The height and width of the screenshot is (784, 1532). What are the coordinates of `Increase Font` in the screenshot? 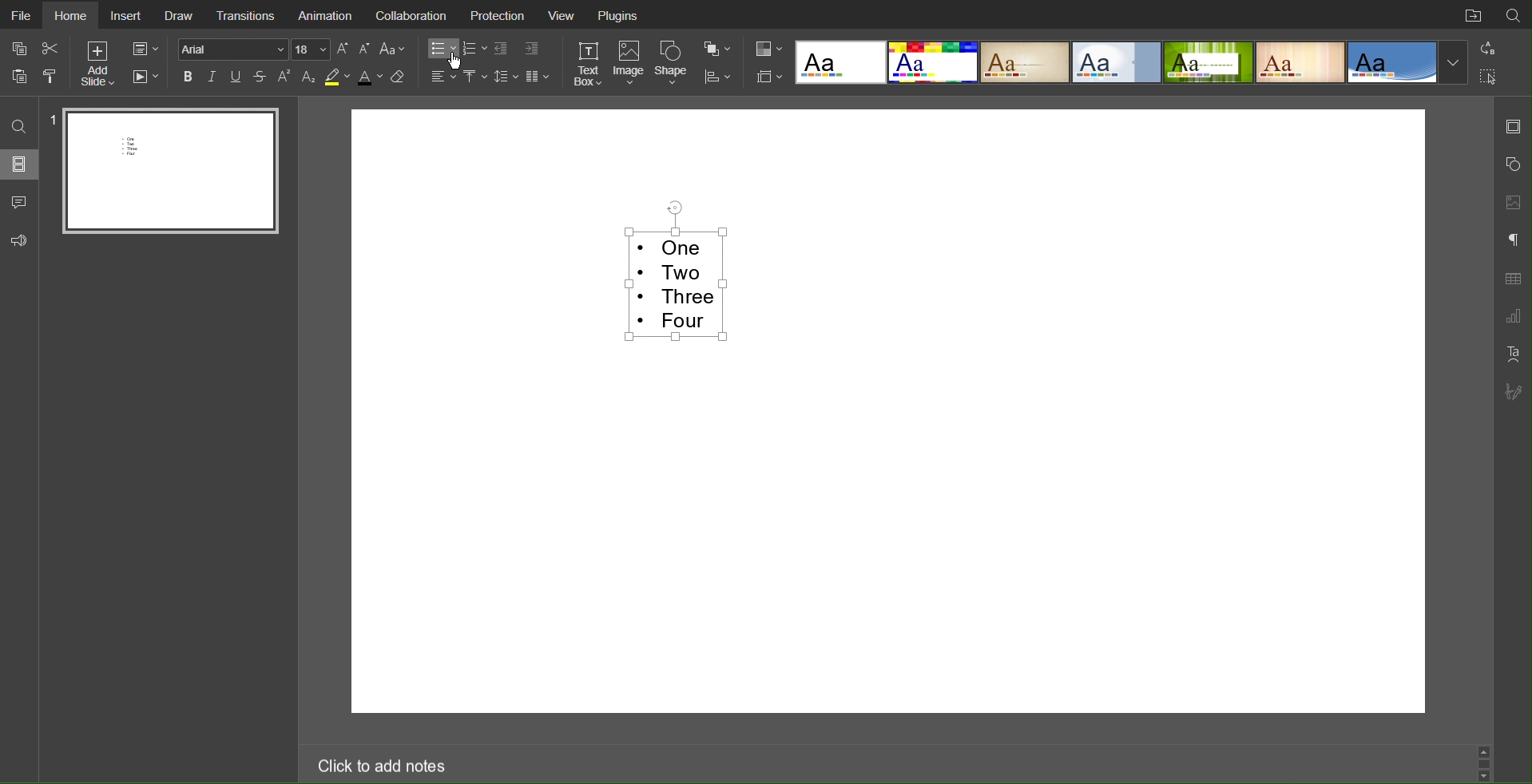 It's located at (343, 49).